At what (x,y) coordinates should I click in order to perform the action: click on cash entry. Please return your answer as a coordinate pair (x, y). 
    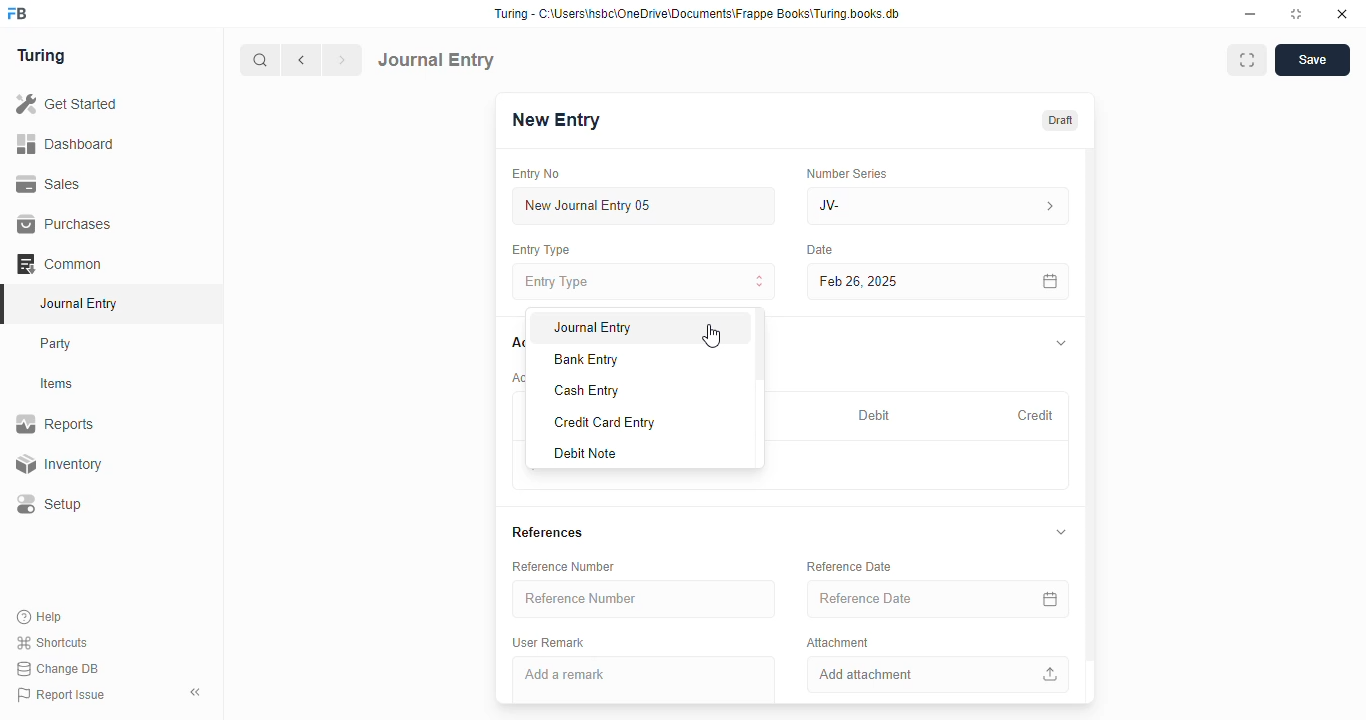
    Looking at the image, I should click on (589, 390).